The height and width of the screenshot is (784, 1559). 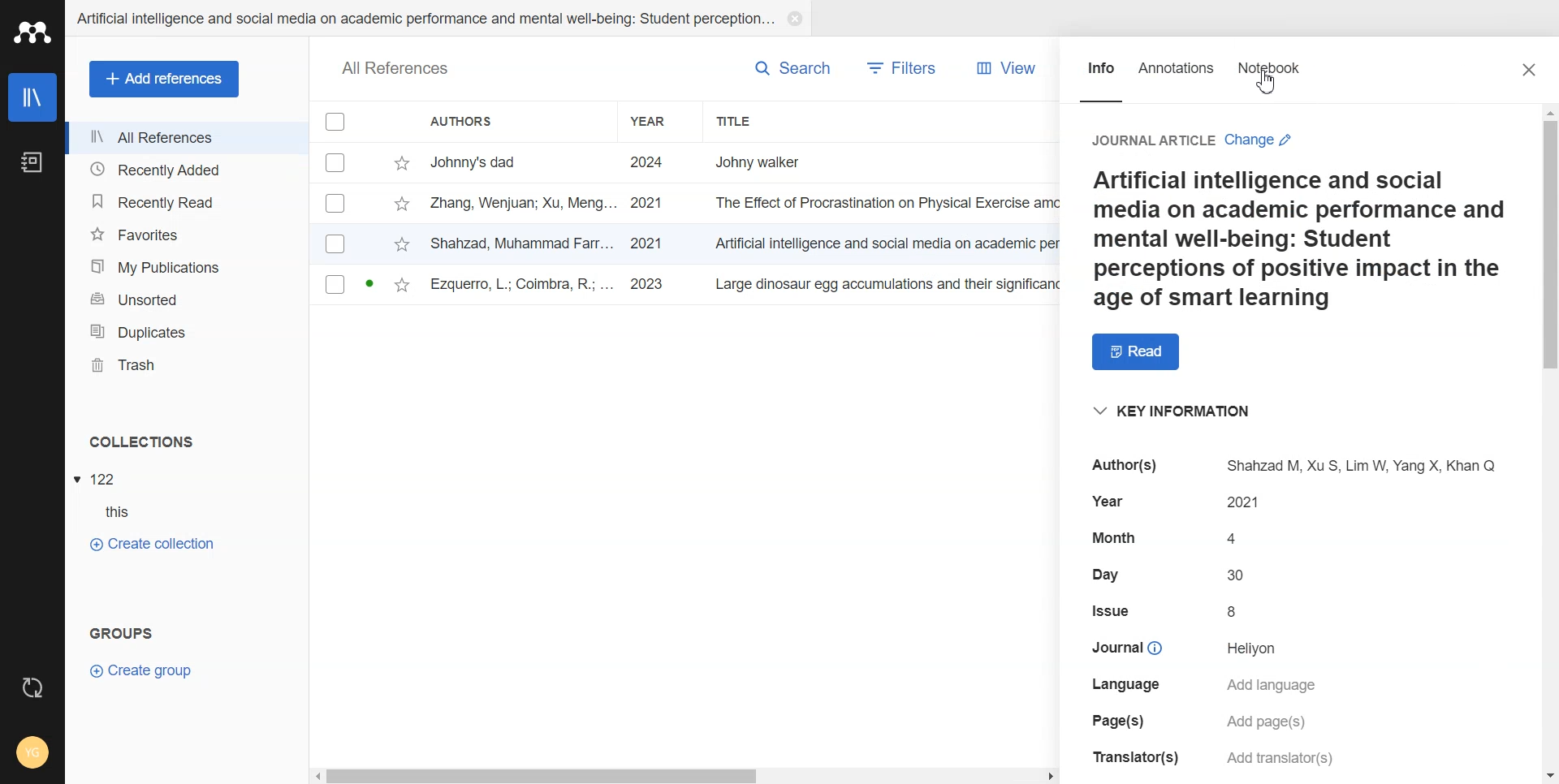 I want to click on Info, so click(x=1101, y=75).